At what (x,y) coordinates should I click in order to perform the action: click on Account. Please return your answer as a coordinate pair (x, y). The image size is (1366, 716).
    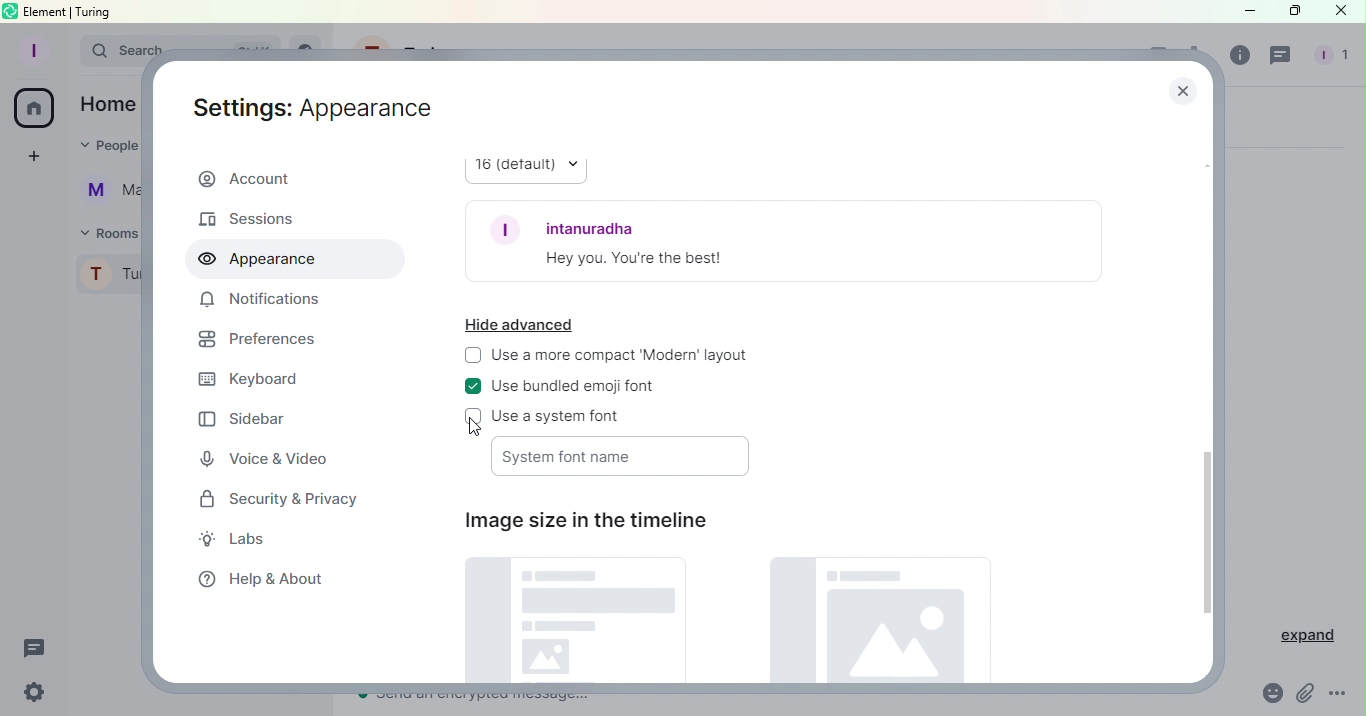
    Looking at the image, I should click on (279, 179).